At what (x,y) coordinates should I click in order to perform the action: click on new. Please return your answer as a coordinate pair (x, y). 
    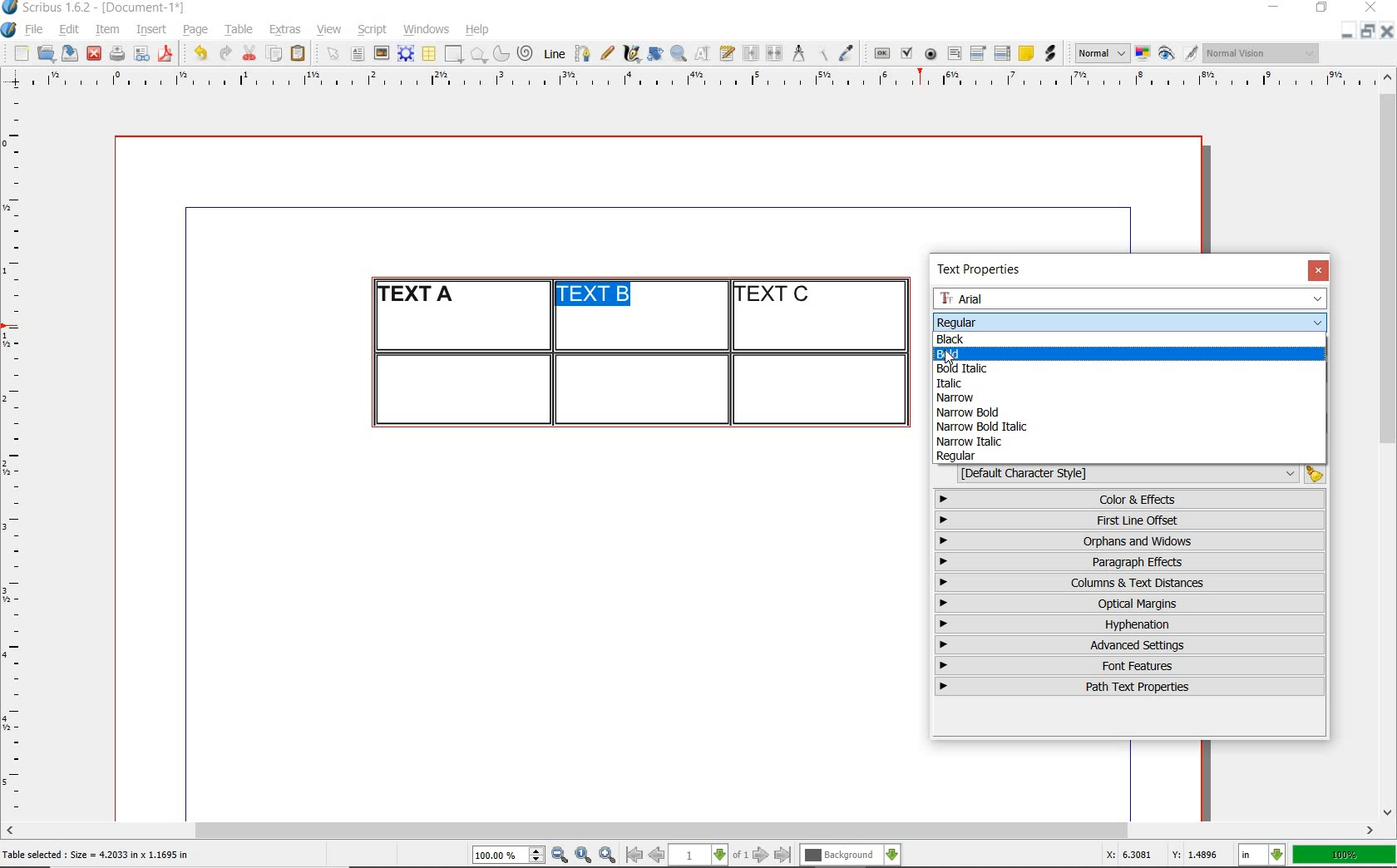
    Looking at the image, I should click on (19, 53).